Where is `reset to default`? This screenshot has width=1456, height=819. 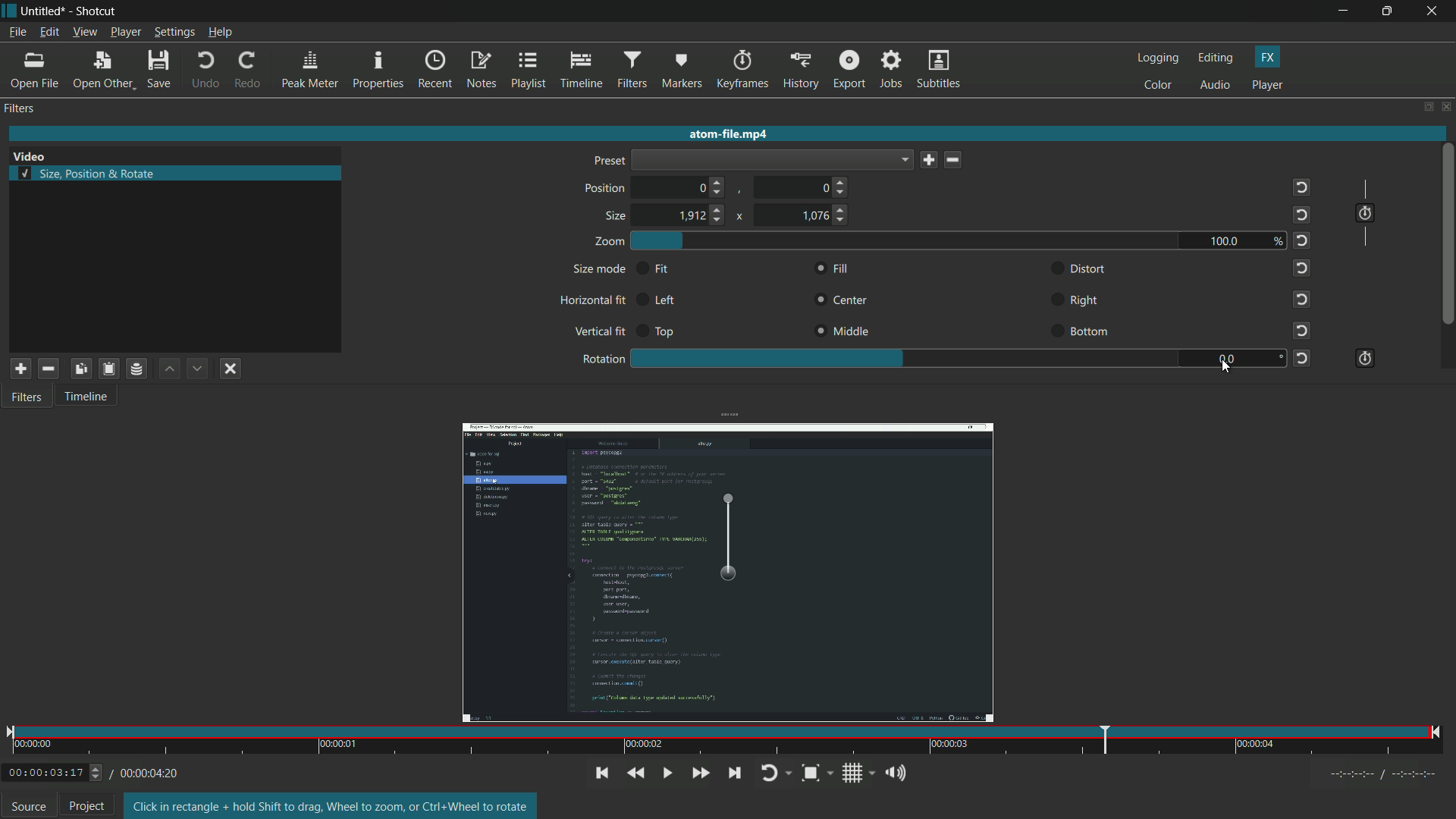 reset to default is located at coordinates (1303, 298).